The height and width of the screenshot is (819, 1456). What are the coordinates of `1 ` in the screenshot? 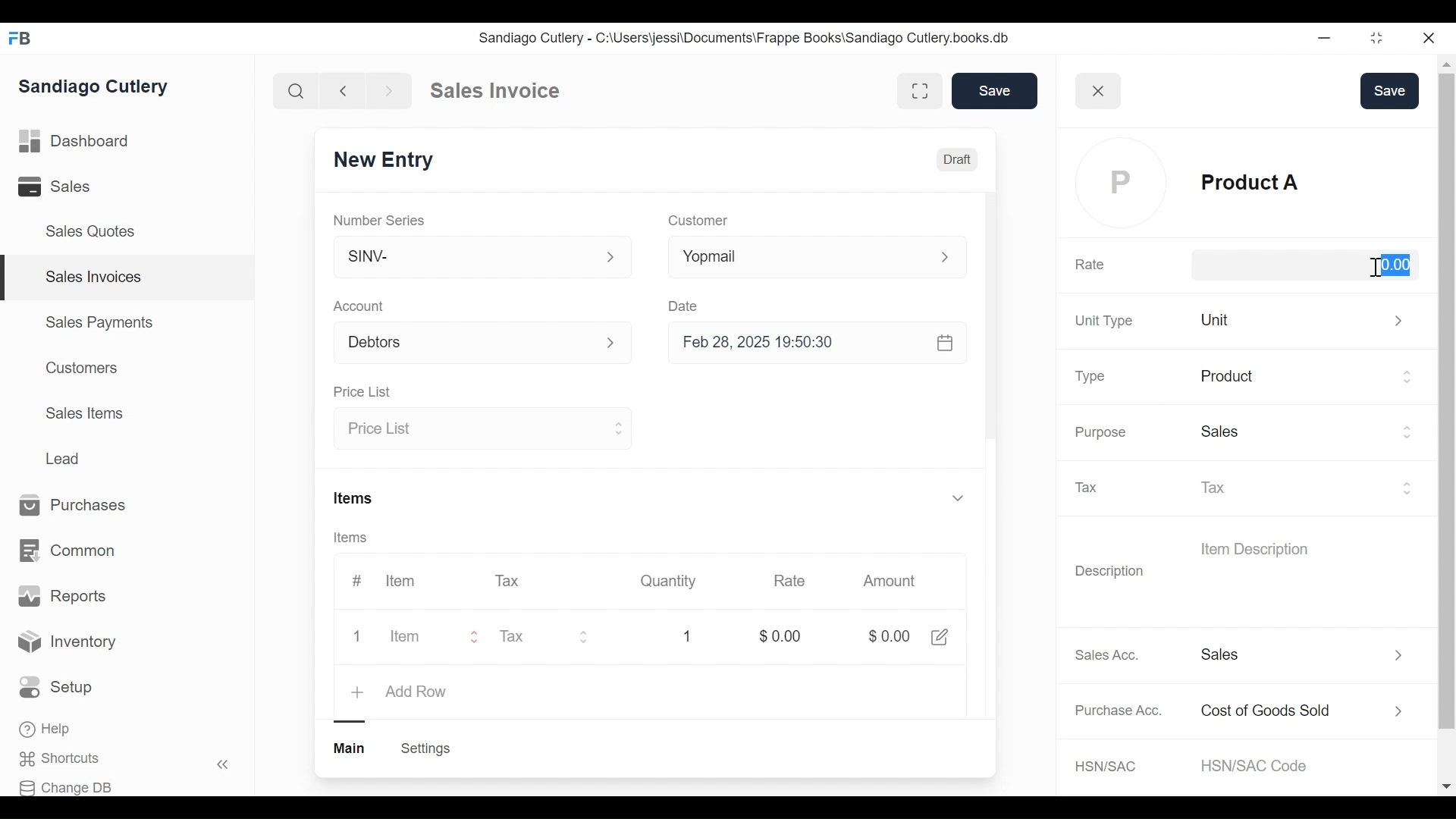 It's located at (689, 635).